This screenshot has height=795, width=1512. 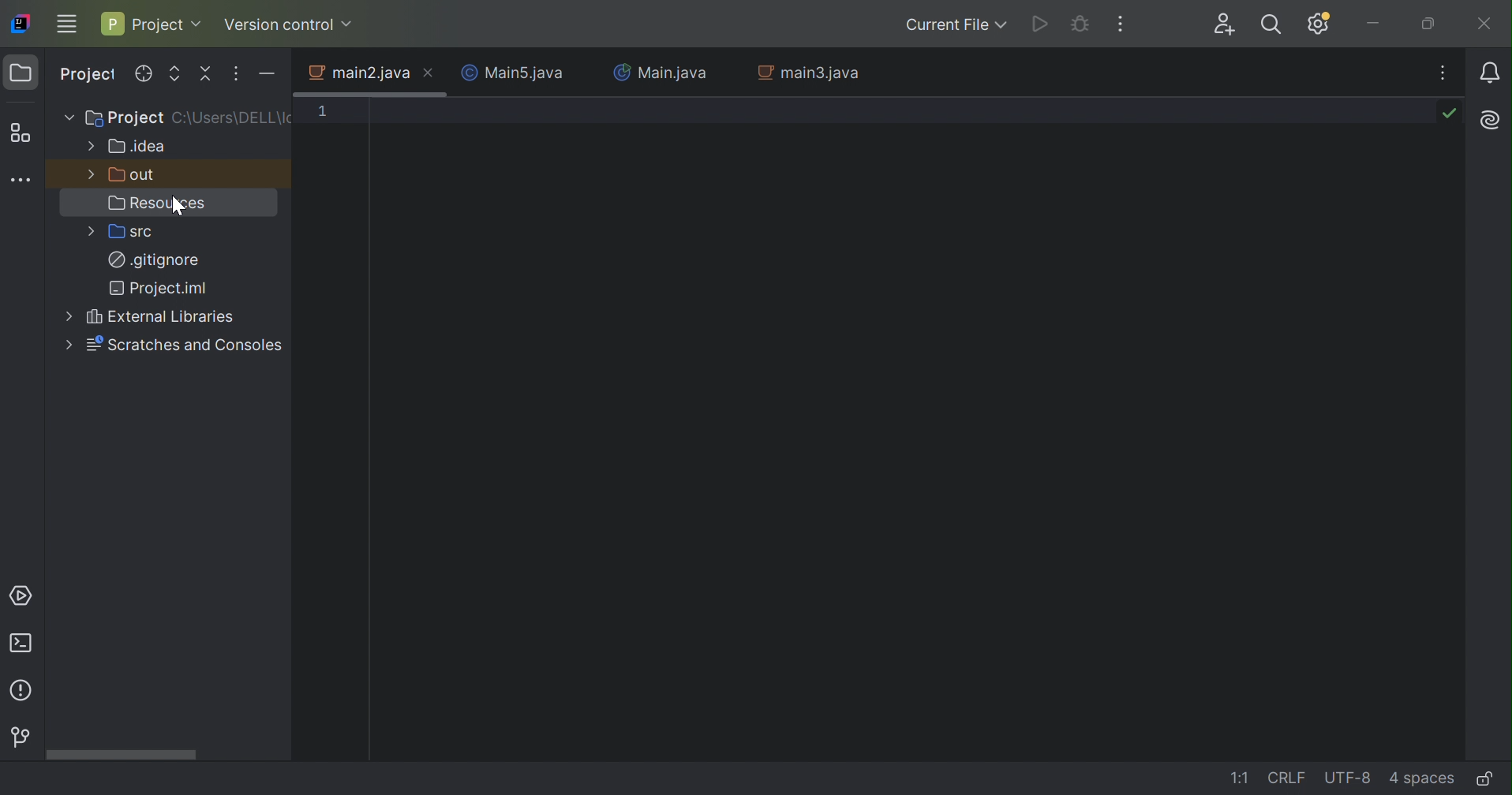 What do you see at coordinates (1452, 112) in the screenshot?
I see `No problems found` at bounding box center [1452, 112].